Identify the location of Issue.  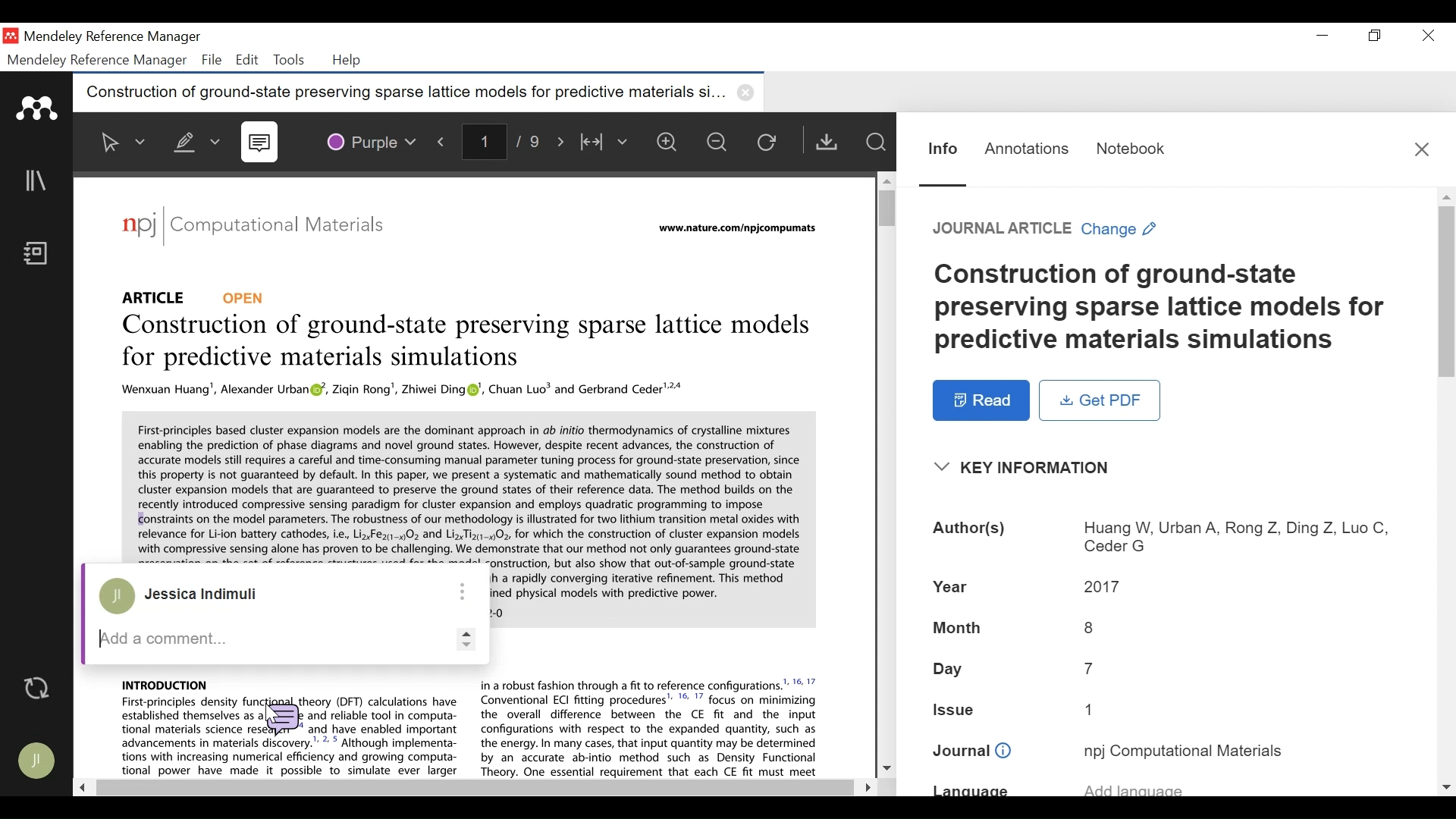
(1166, 713).